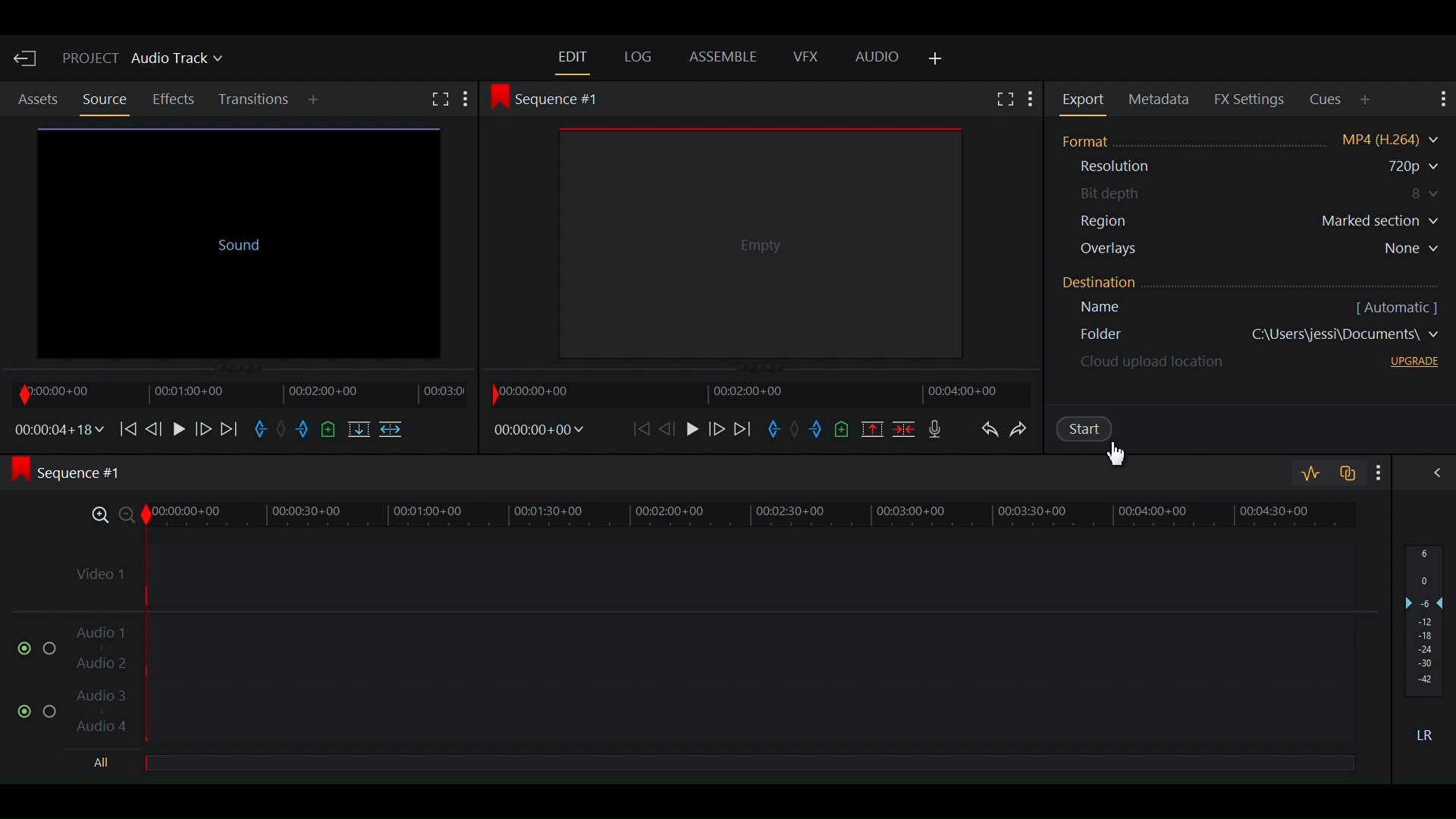 This screenshot has height=819, width=1456. What do you see at coordinates (1345, 472) in the screenshot?
I see `Toggle audio track sync` at bounding box center [1345, 472].